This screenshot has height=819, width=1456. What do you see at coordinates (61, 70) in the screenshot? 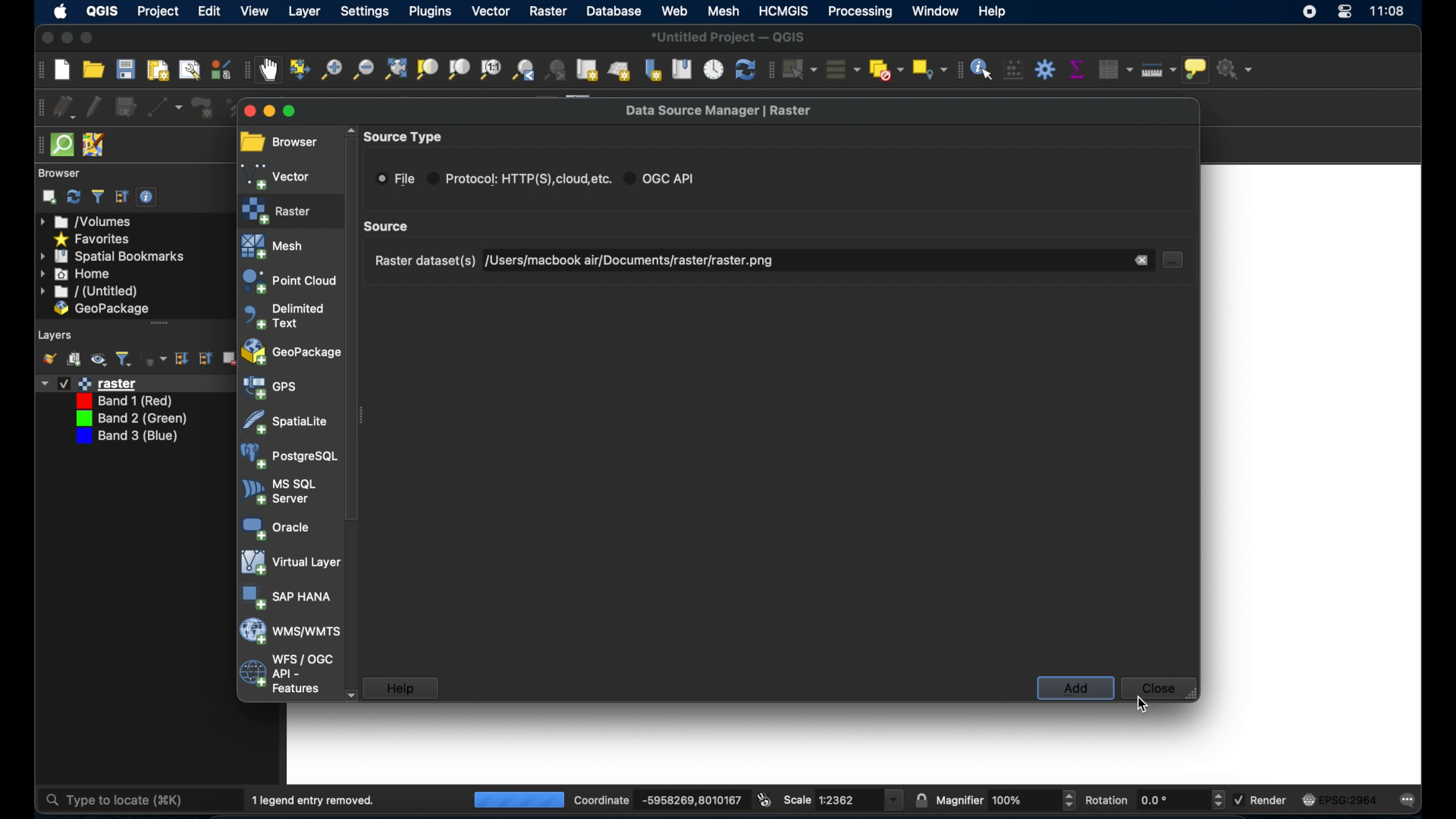
I see `create new project` at bounding box center [61, 70].